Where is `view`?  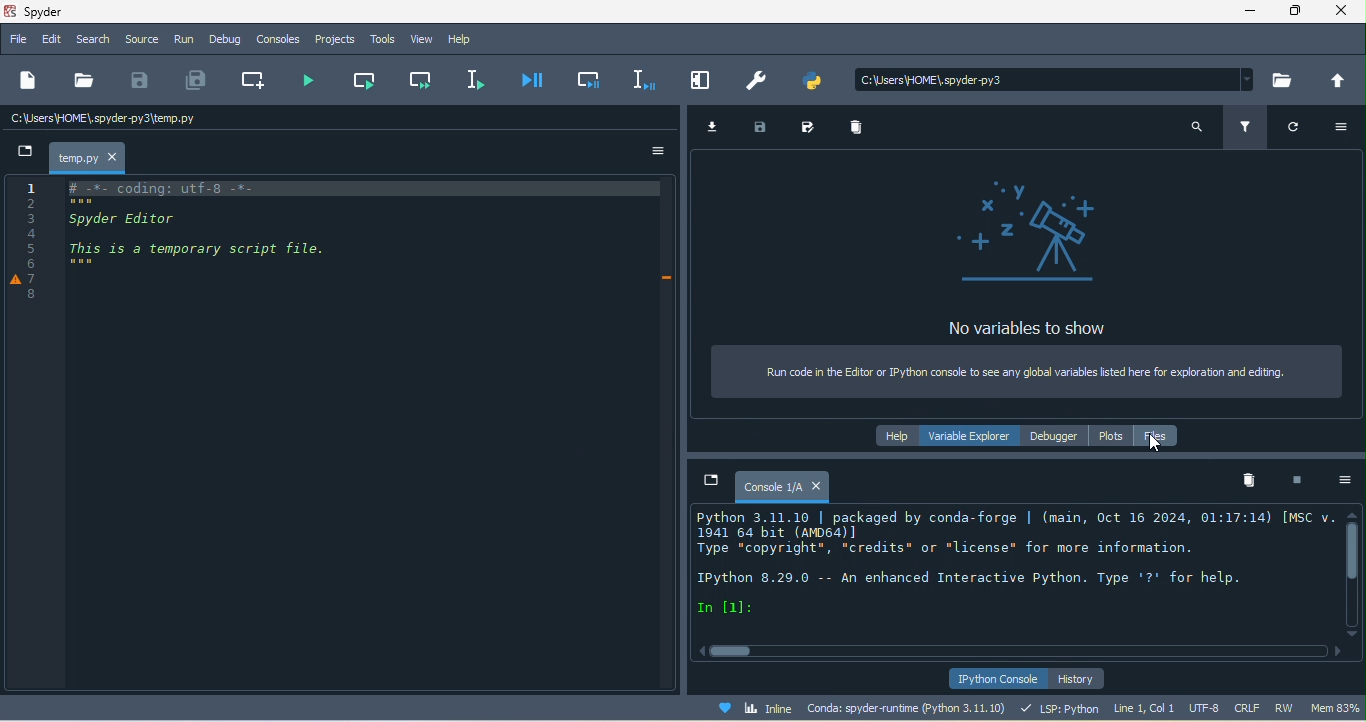
view is located at coordinates (426, 38).